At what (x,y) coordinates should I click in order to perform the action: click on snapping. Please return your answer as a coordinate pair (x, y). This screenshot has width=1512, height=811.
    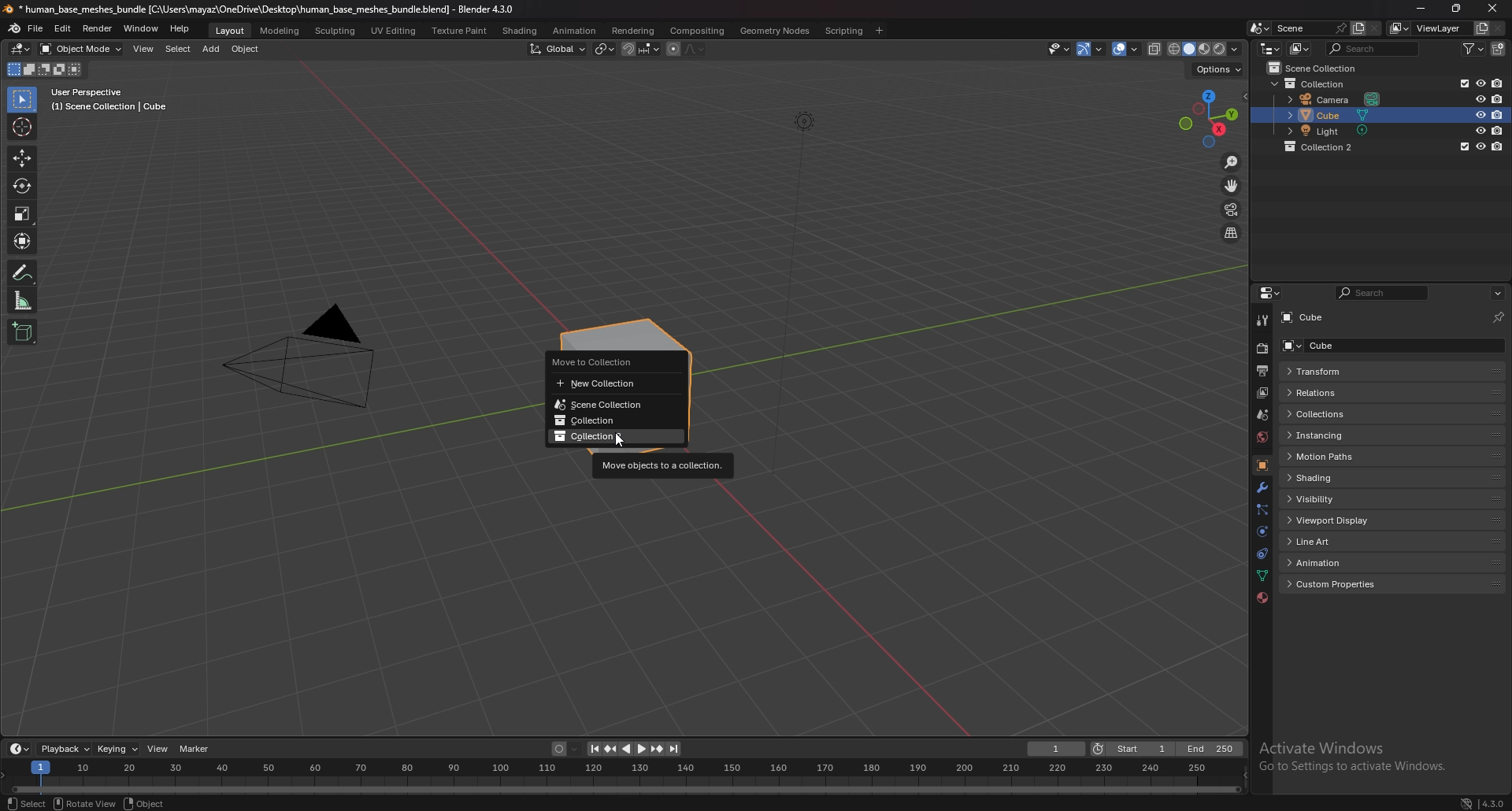
    Looking at the image, I should click on (641, 49).